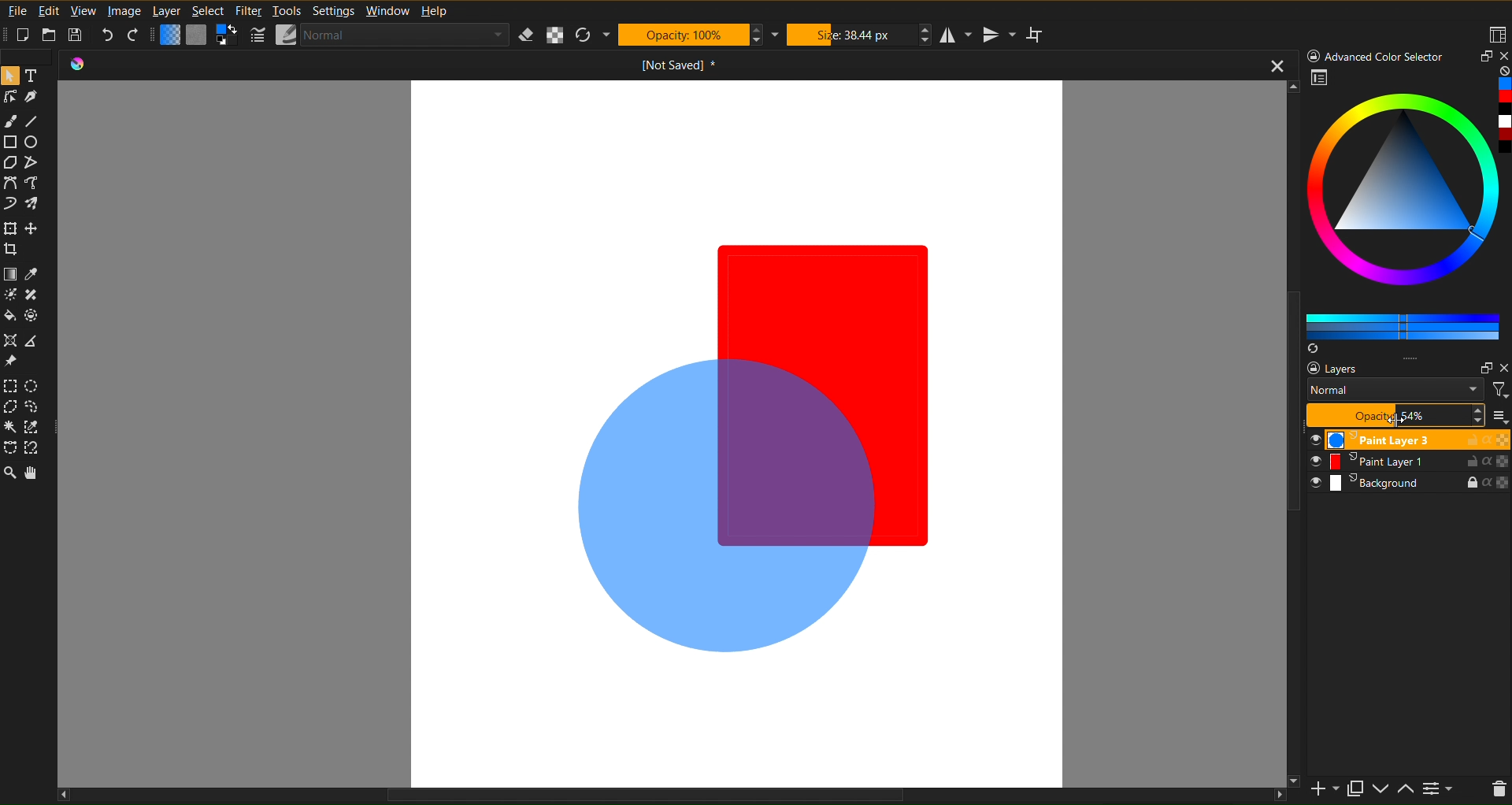 The width and height of the screenshot is (1512, 805). Describe the element at coordinates (1002, 35) in the screenshot. I see `Vertical Mirror` at that location.